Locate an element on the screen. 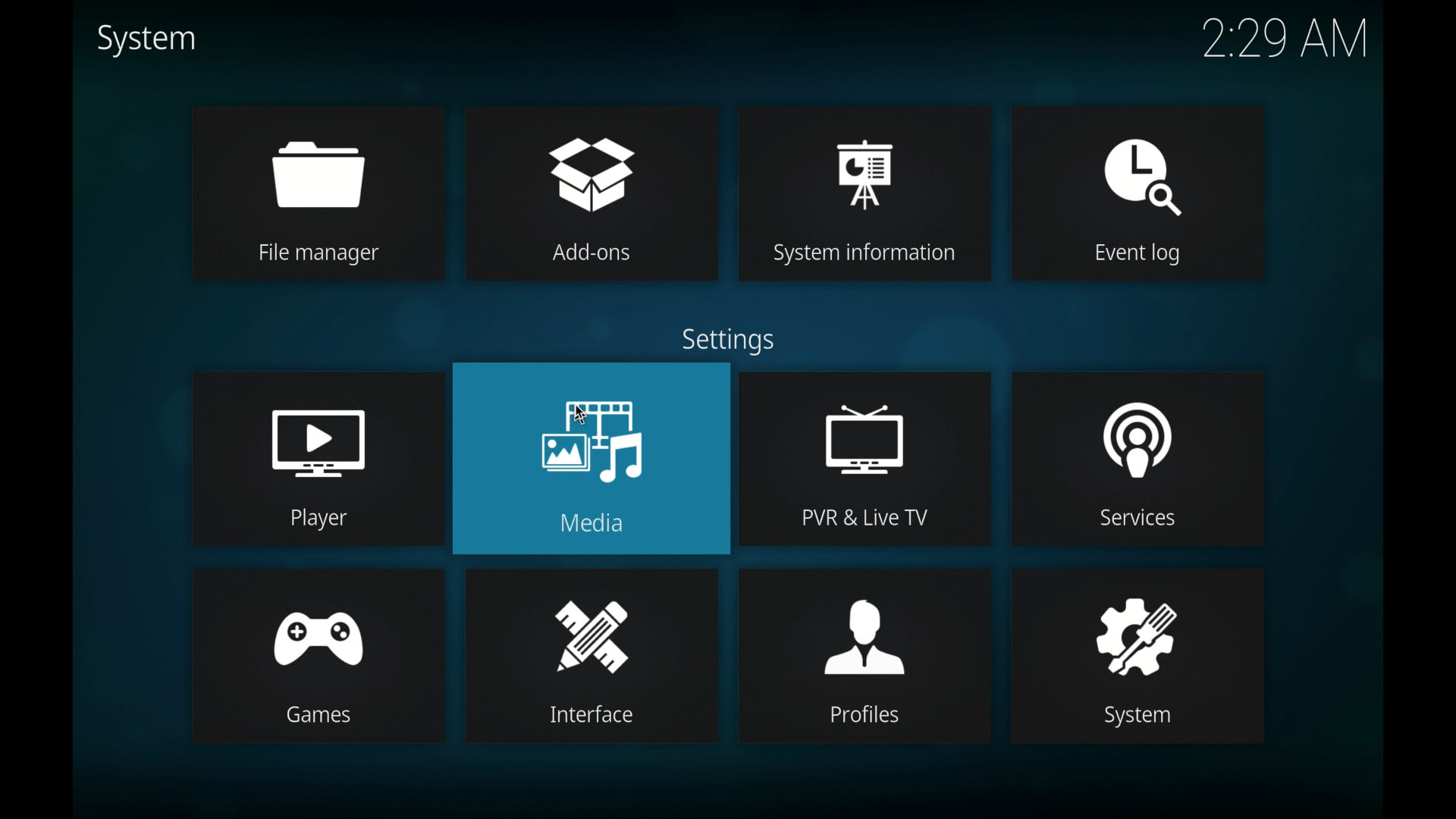 This screenshot has width=1456, height=819. games is located at coordinates (322, 714).